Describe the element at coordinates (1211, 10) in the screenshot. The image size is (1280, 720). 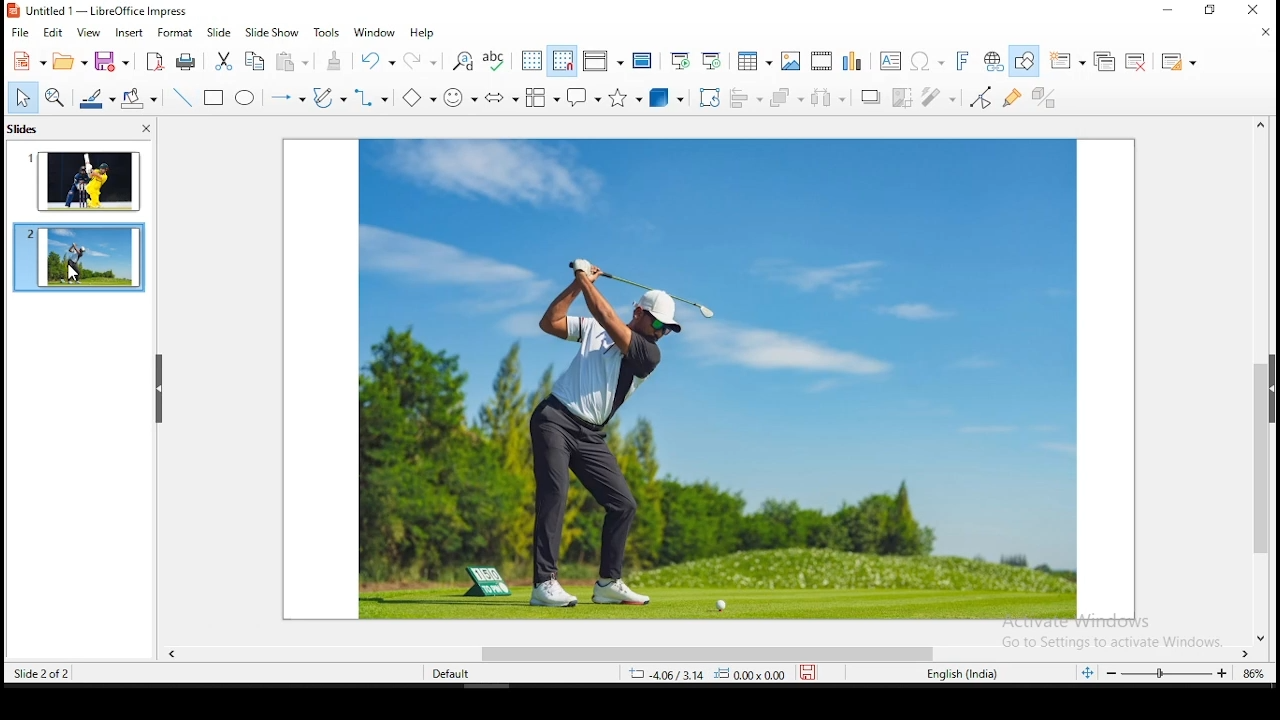
I see `restore` at that location.